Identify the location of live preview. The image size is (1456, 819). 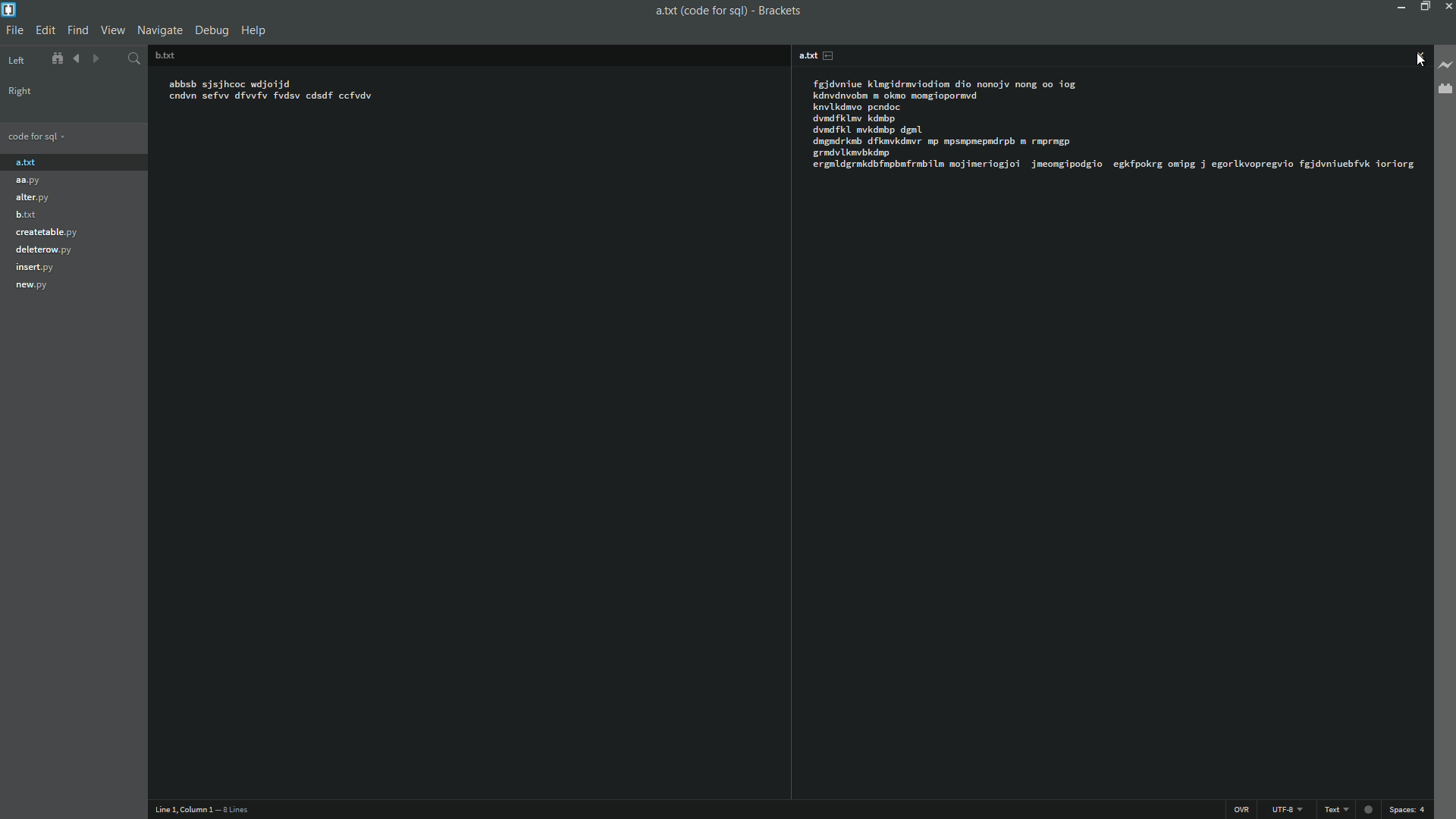
(1447, 64).